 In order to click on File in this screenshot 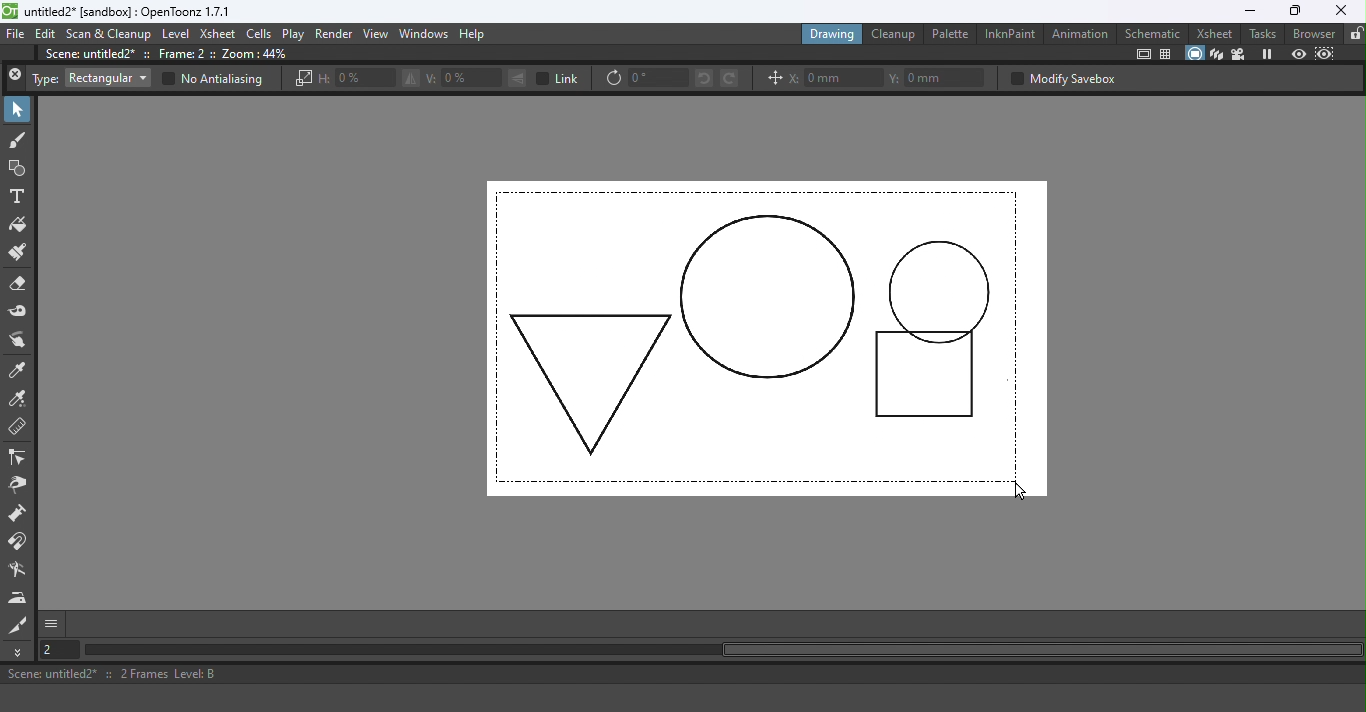, I will do `click(16, 35)`.